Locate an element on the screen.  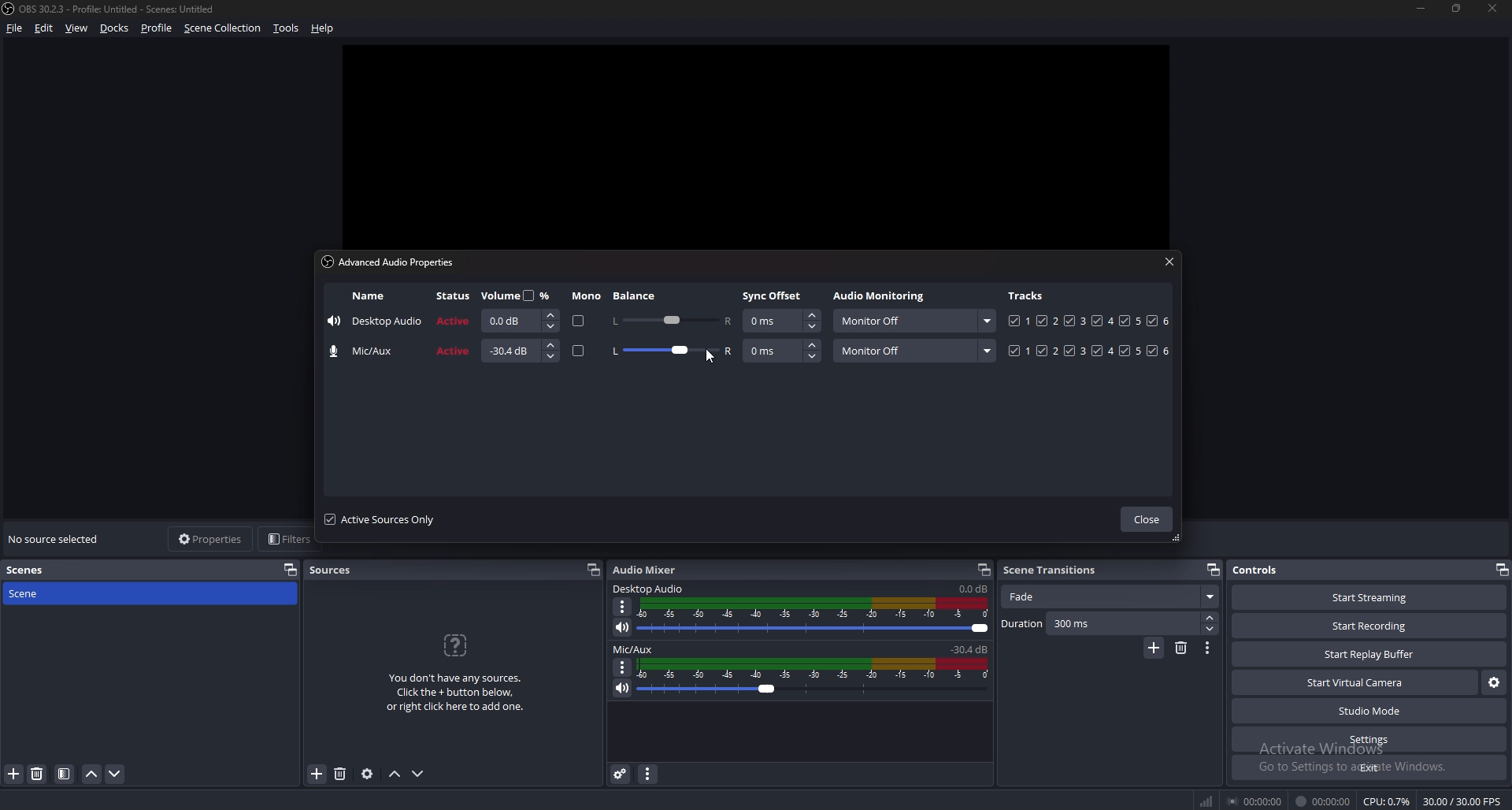
remove scene is located at coordinates (1180, 648).